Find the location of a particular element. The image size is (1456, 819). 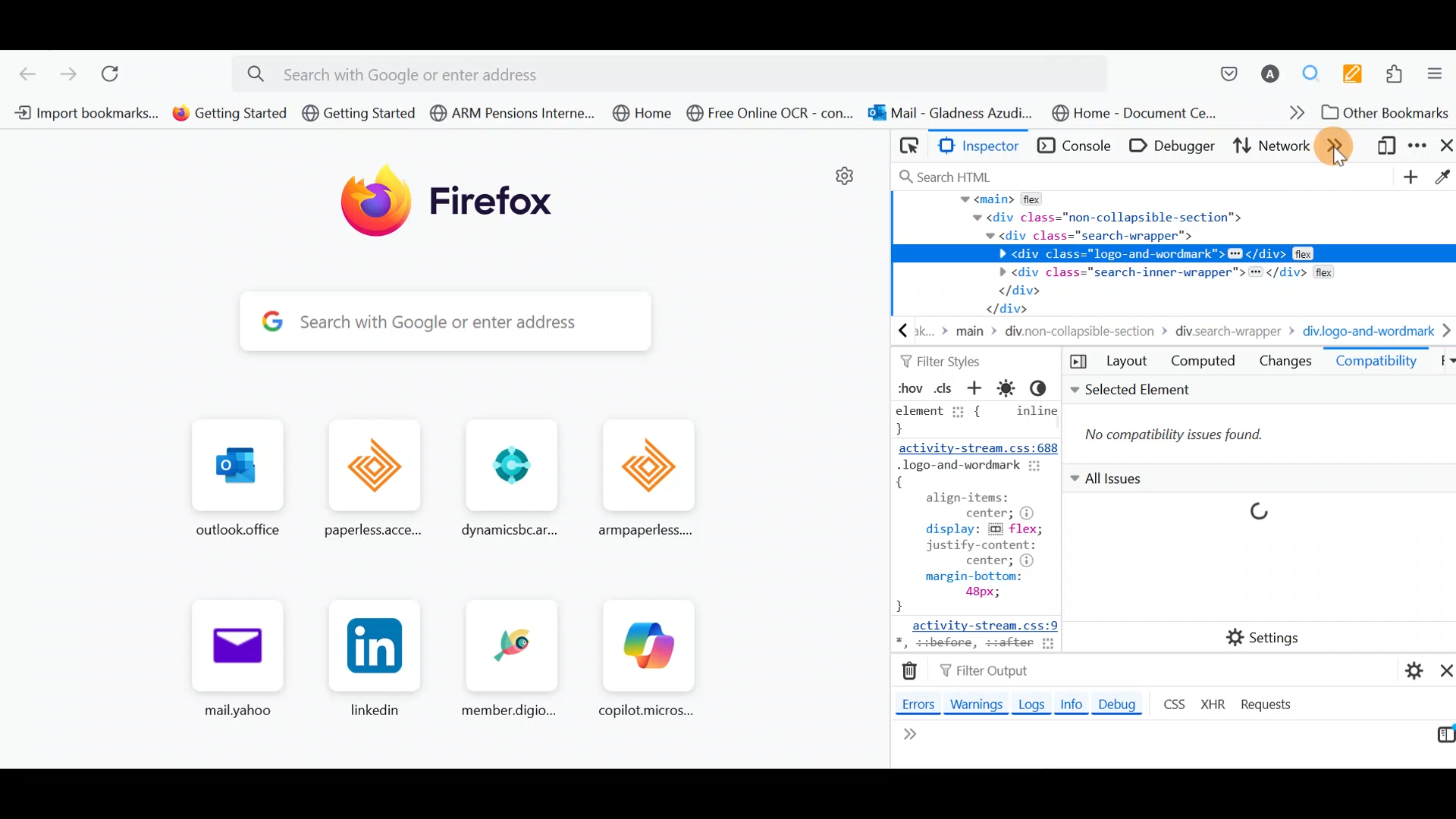

settings is located at coordinates (845, 182).